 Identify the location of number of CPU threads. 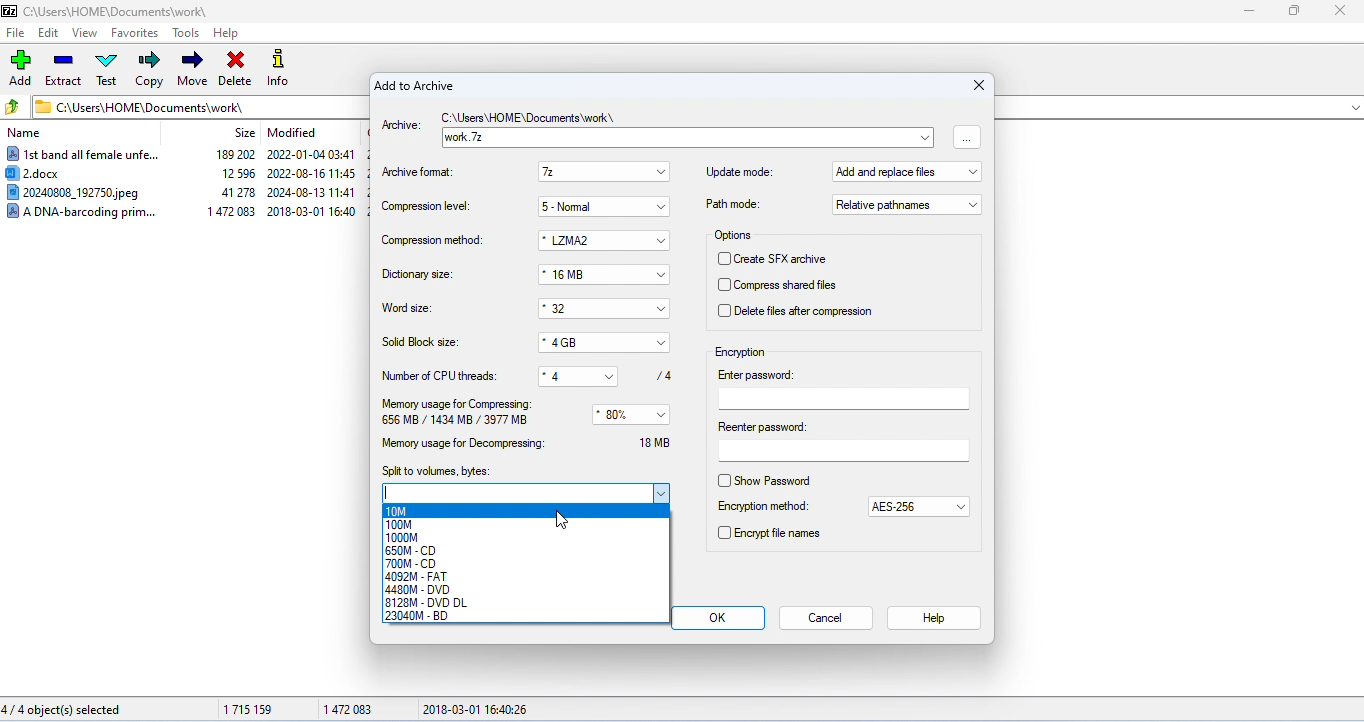
(442, 375).